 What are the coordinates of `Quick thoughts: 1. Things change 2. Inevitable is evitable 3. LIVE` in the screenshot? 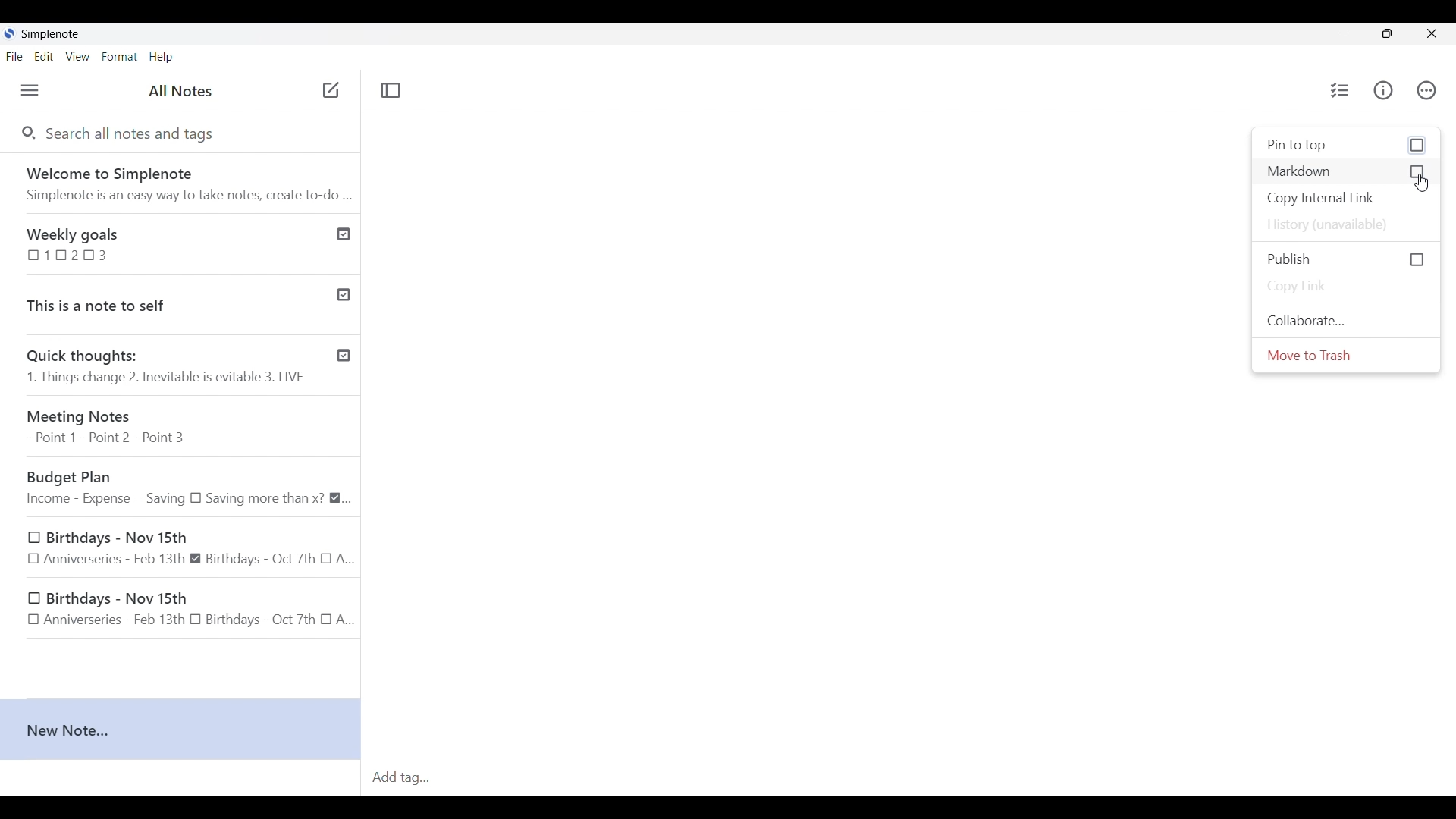 It's located at (165, 368).